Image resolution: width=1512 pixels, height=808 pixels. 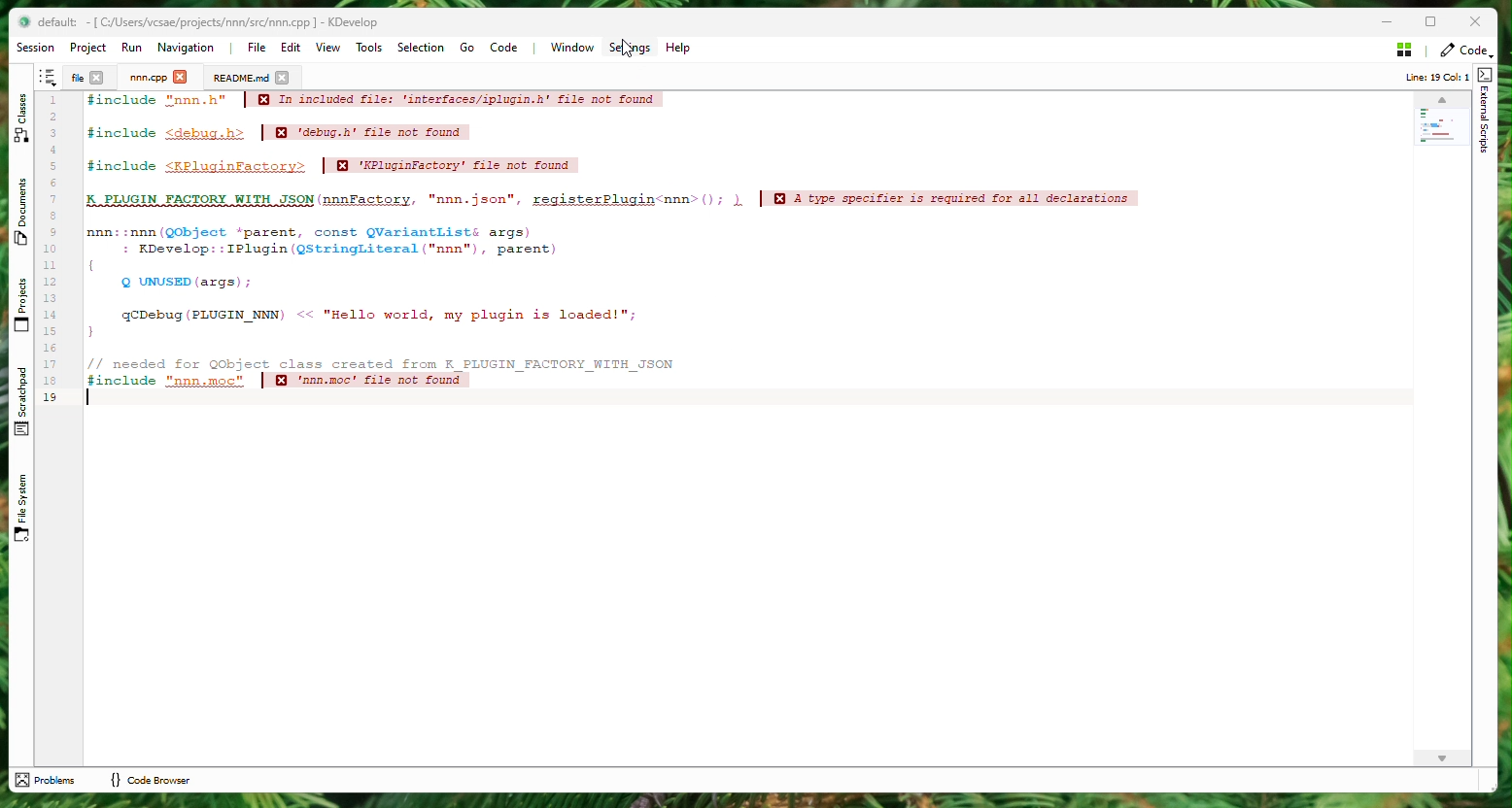 I want to click on Tools, so click(x=368, y=48).